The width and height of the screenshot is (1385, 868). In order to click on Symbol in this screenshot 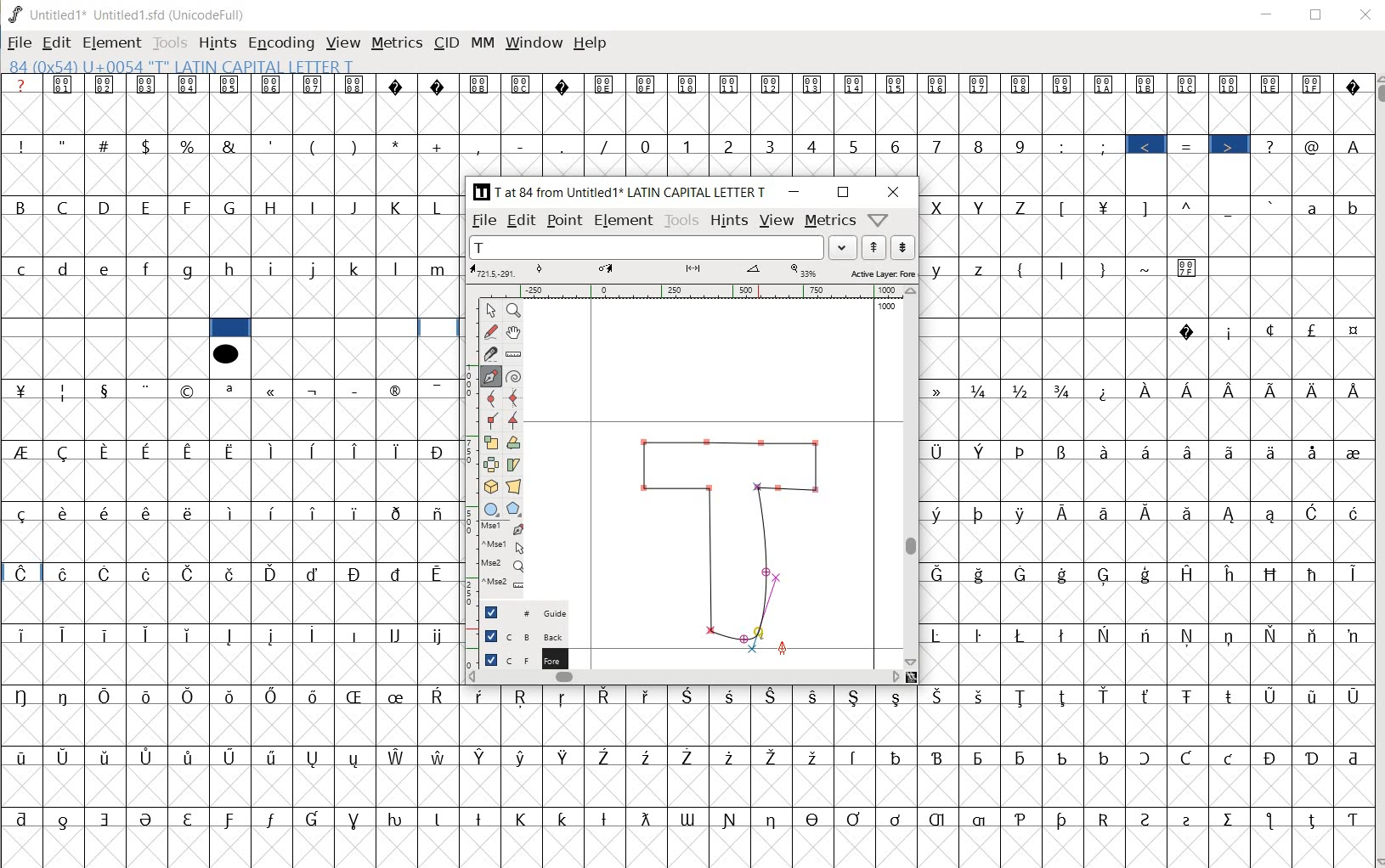, I will do `click(232, 573)`.